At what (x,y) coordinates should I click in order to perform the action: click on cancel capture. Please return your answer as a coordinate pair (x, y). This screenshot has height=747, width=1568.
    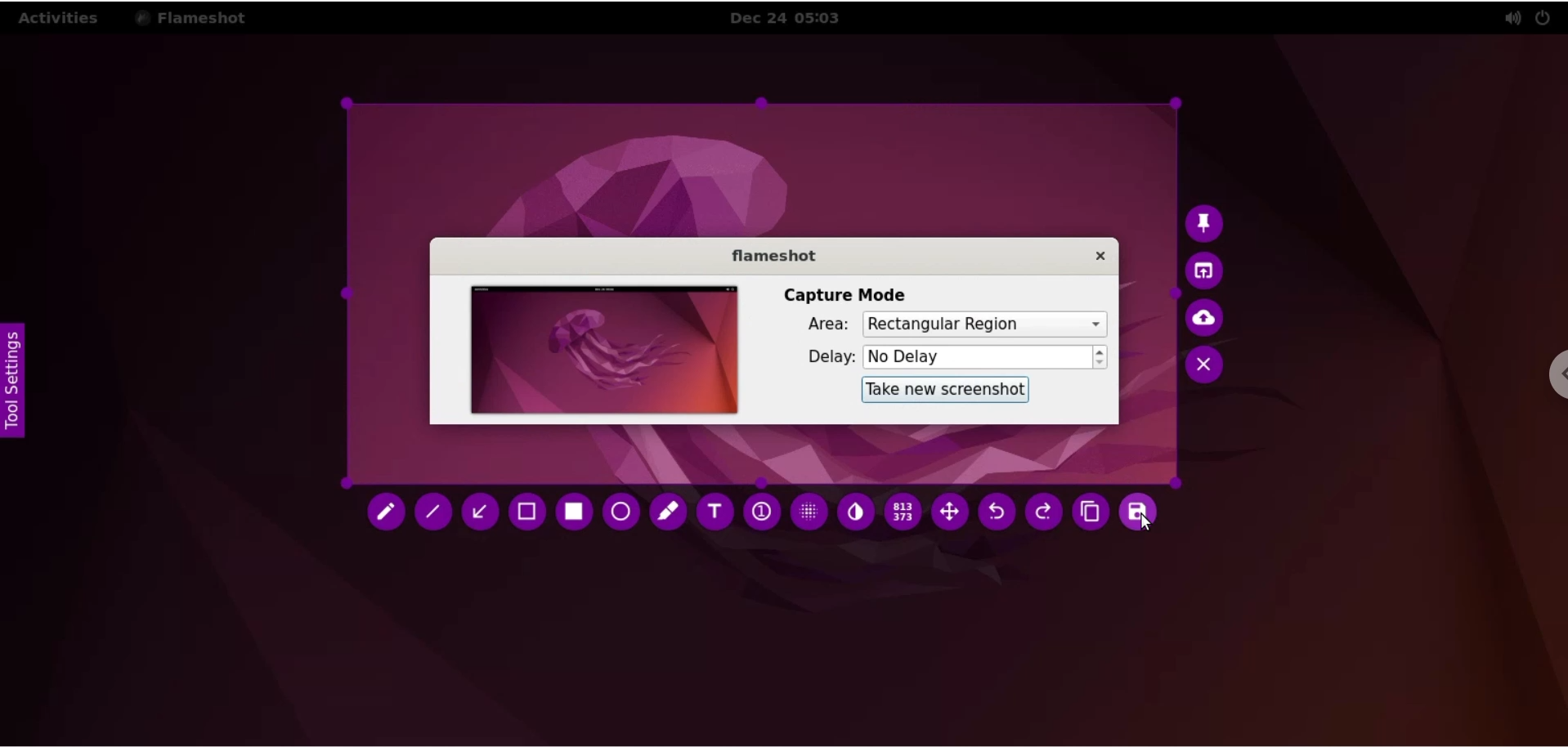
    Looking at the image, I should click on (1209, 369).